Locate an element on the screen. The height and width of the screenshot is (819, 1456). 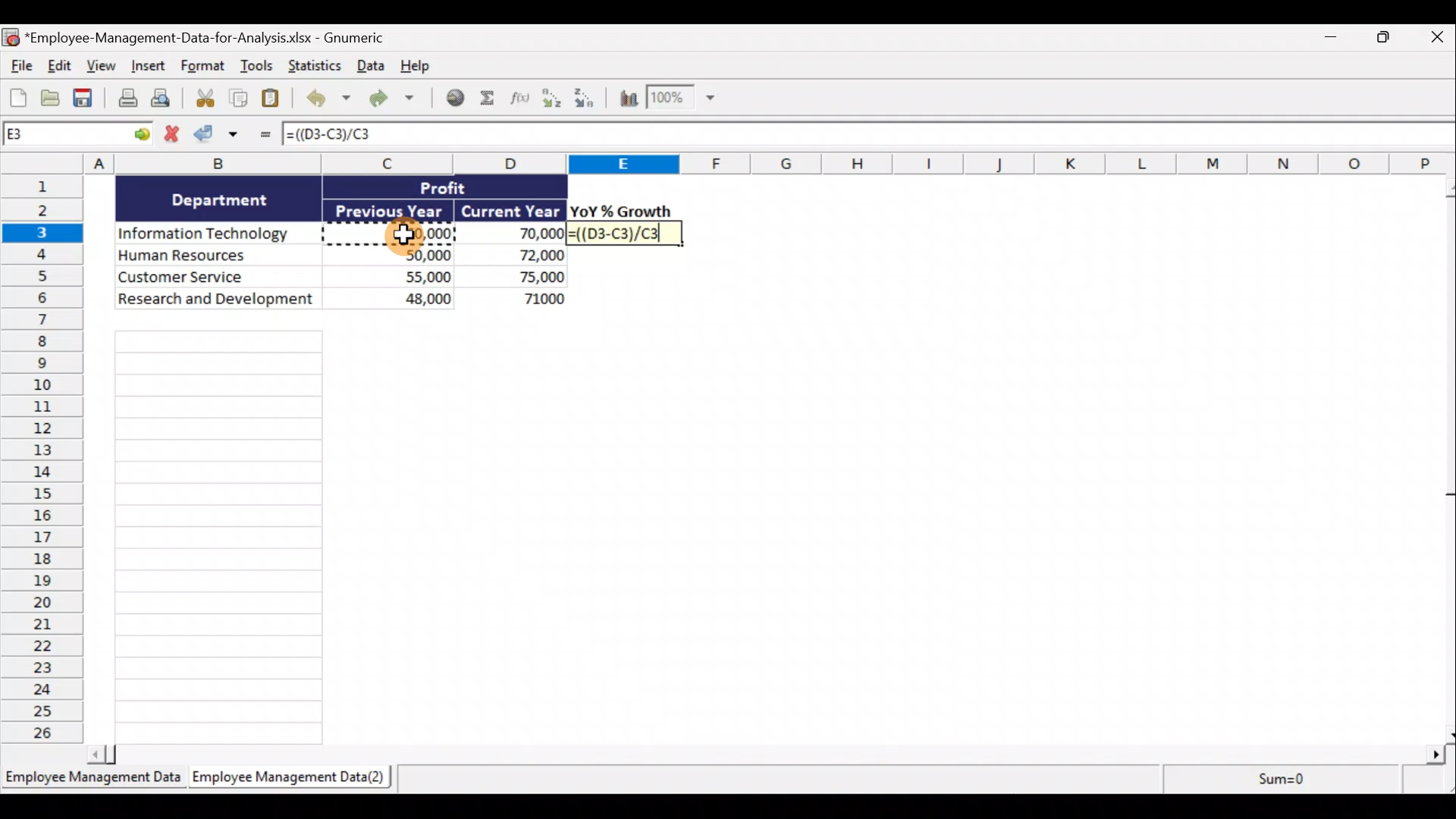
=((D3-C3)/C3 is located at coordinates (342, 135).